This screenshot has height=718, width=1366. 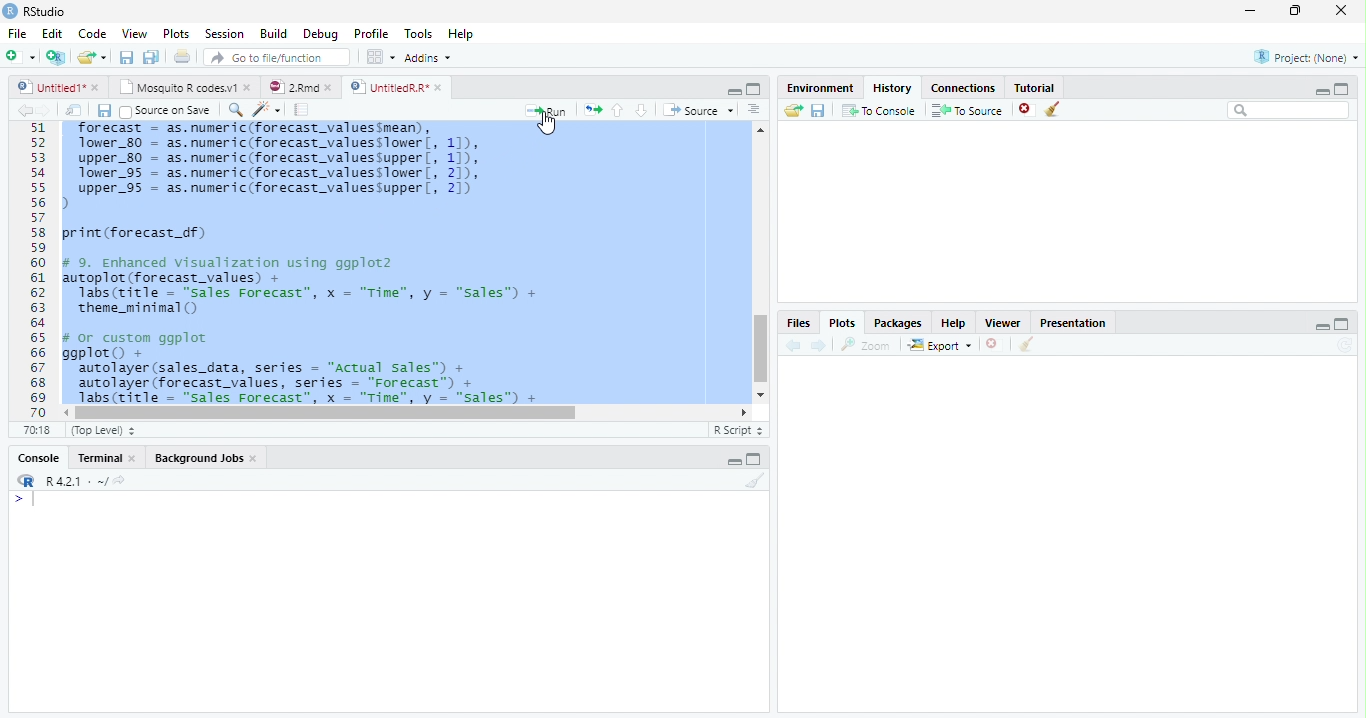 What do you see at coordinates (308, 287) in the screenshot?
I see `# 9. Enhanced visualization using ggplot2

autoplot (forecast_values) +
Tabs (title - “sales Forecast”, x = "Time", y = "sales") +
theme_minimal ()` at bounding box center [308, 287].